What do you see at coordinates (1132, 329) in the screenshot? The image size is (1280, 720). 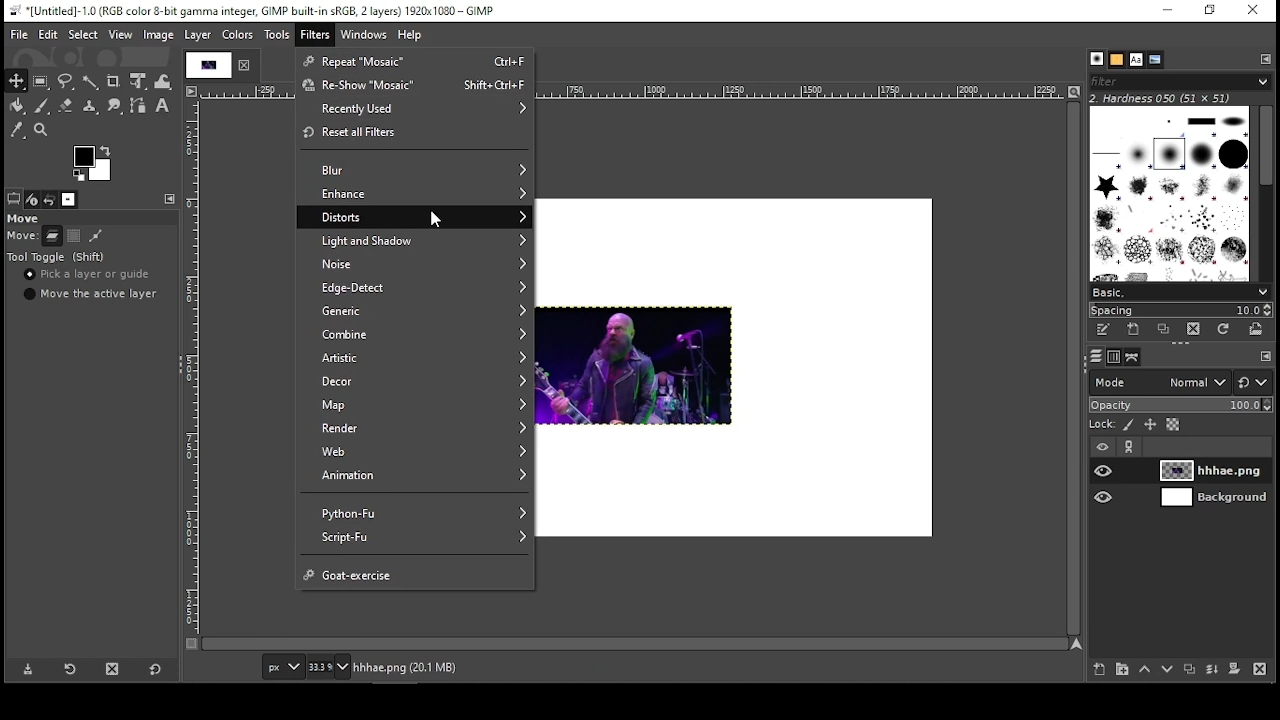 I see `create a new brush` at bounding box center [1132, 329].